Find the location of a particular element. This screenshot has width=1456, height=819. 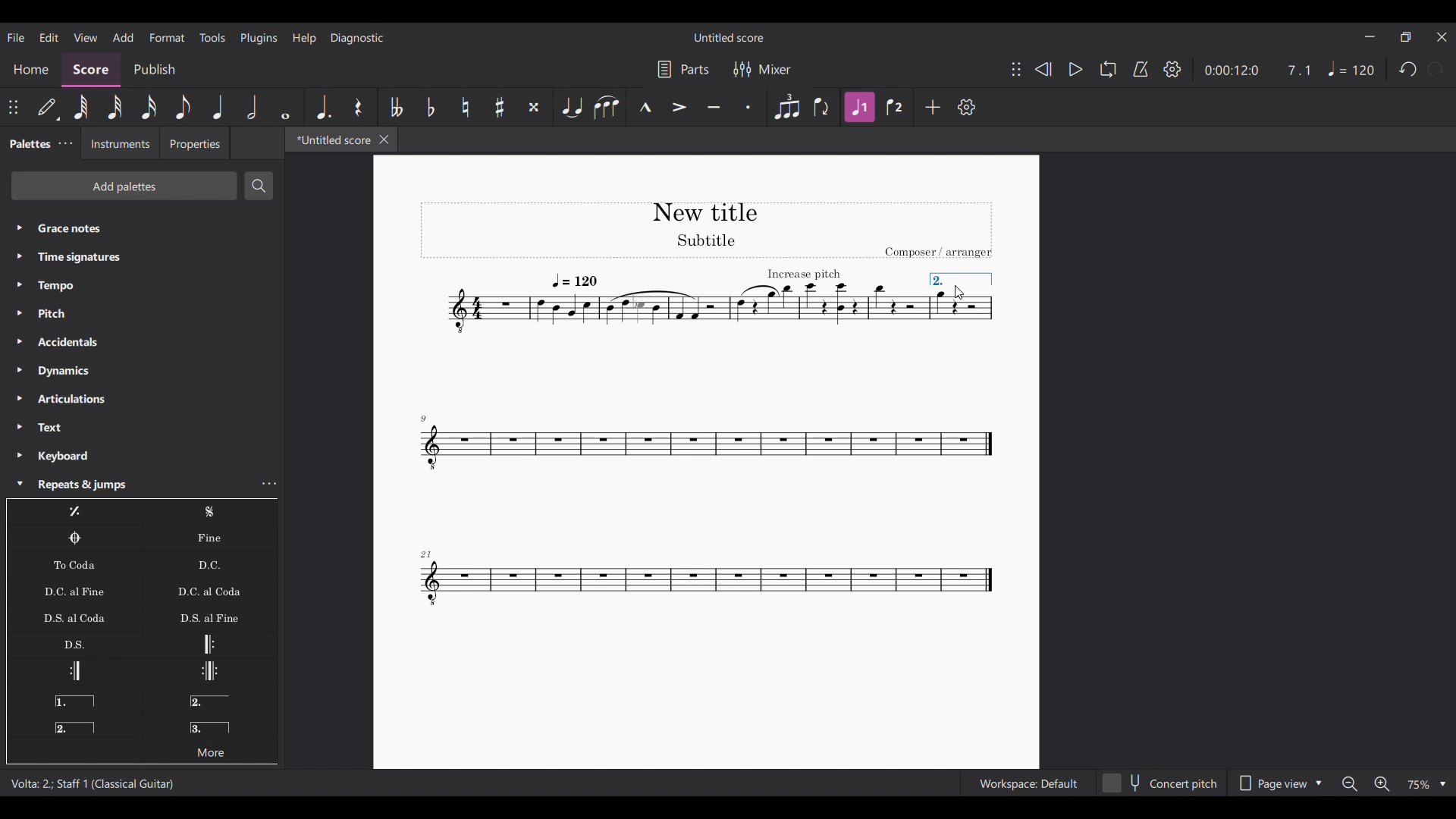

Tempo is located at coordinates (1351, 69).